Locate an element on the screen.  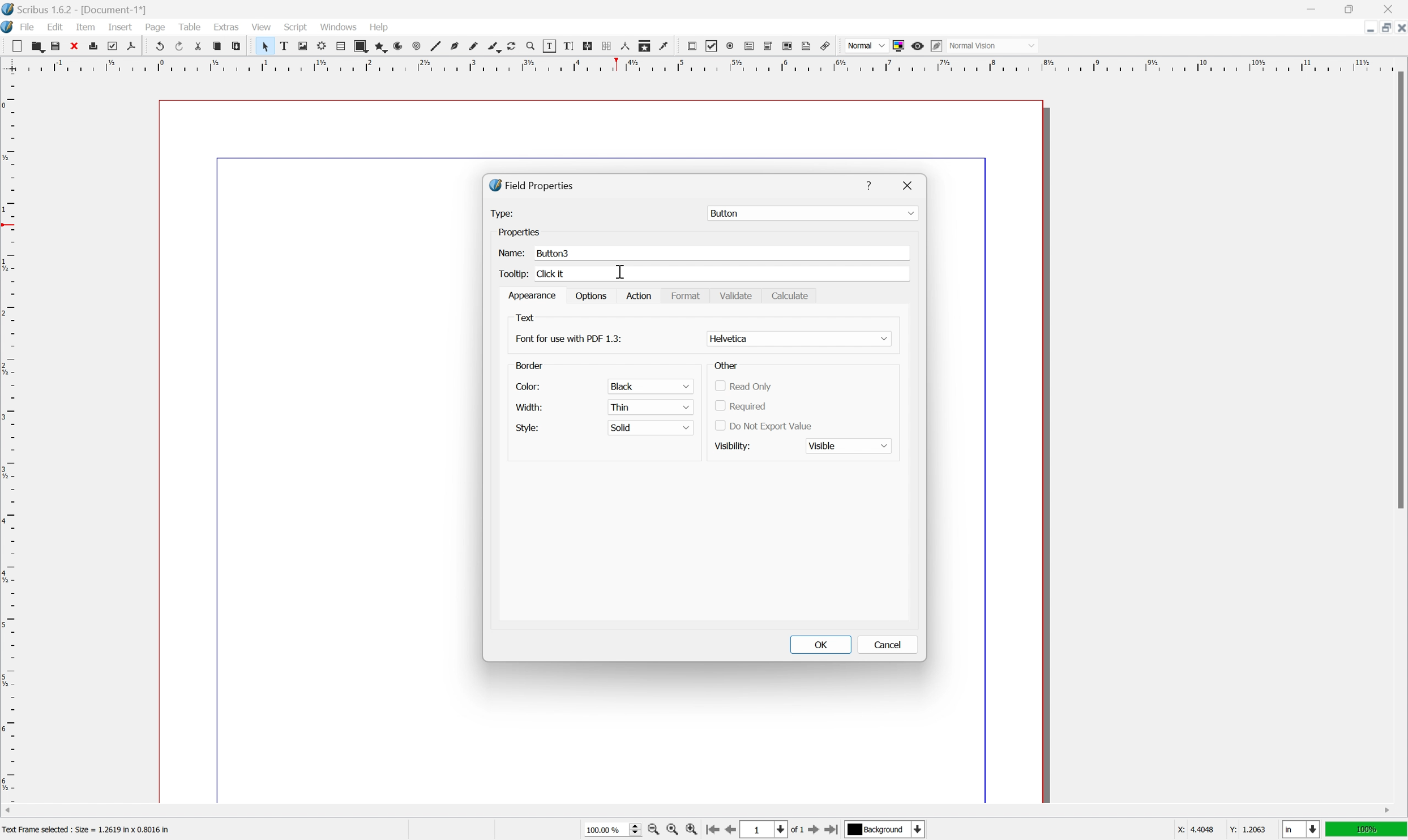
Normal vision is located at coordinates (995, 45).